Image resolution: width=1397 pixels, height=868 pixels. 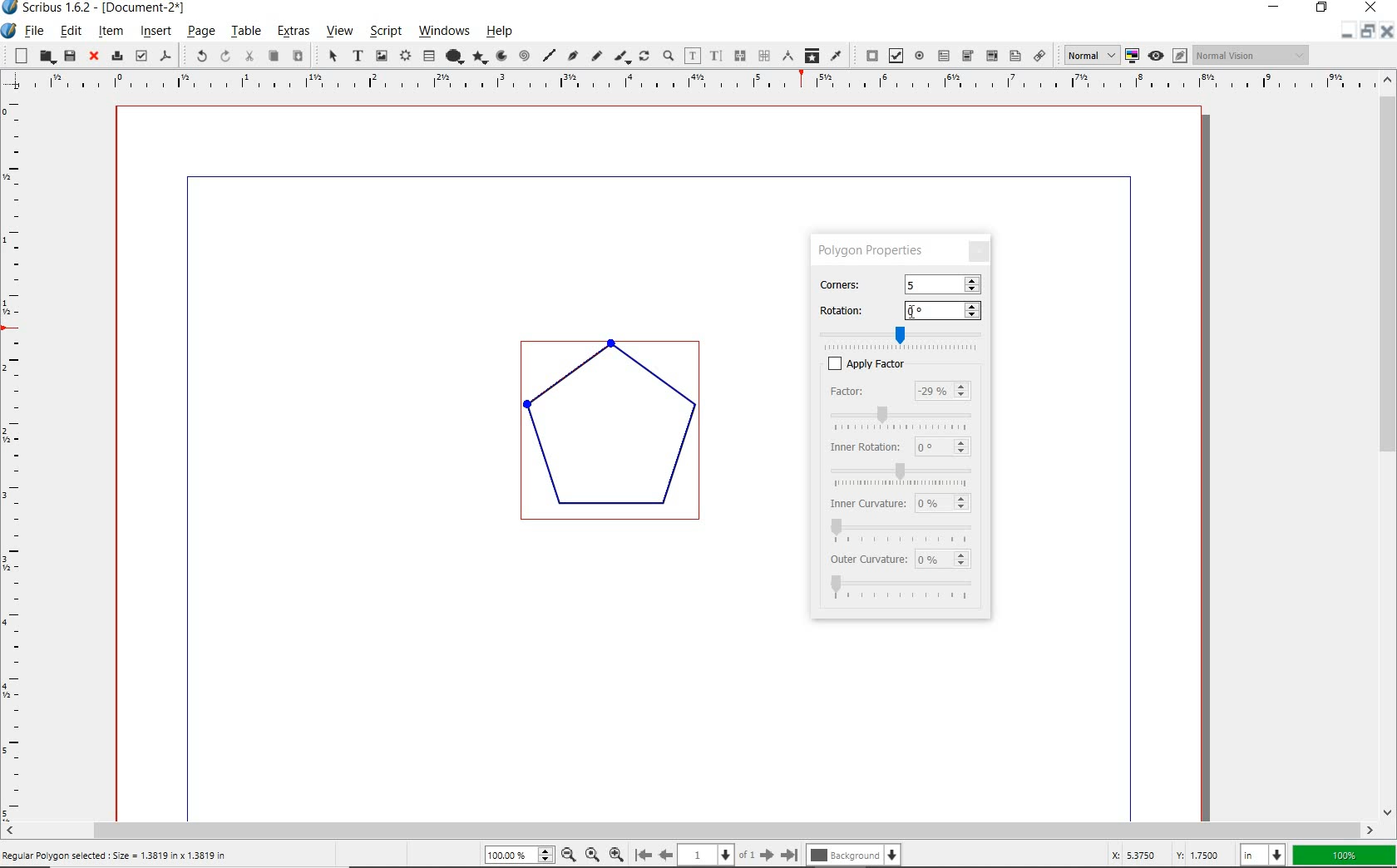 I want to click on Restore, so click(x=1366, y=33).